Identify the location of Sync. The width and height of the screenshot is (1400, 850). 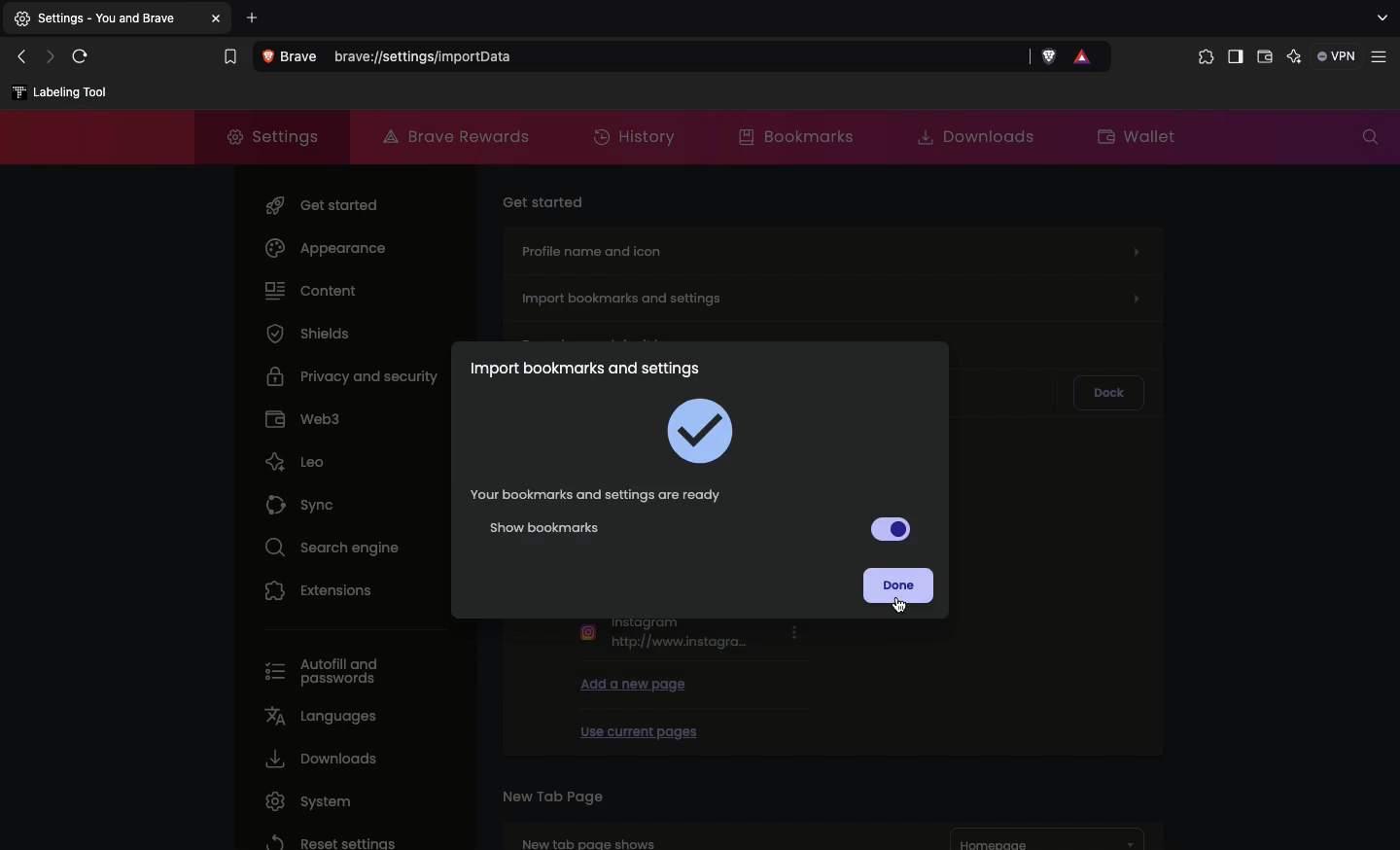
(304, 500).